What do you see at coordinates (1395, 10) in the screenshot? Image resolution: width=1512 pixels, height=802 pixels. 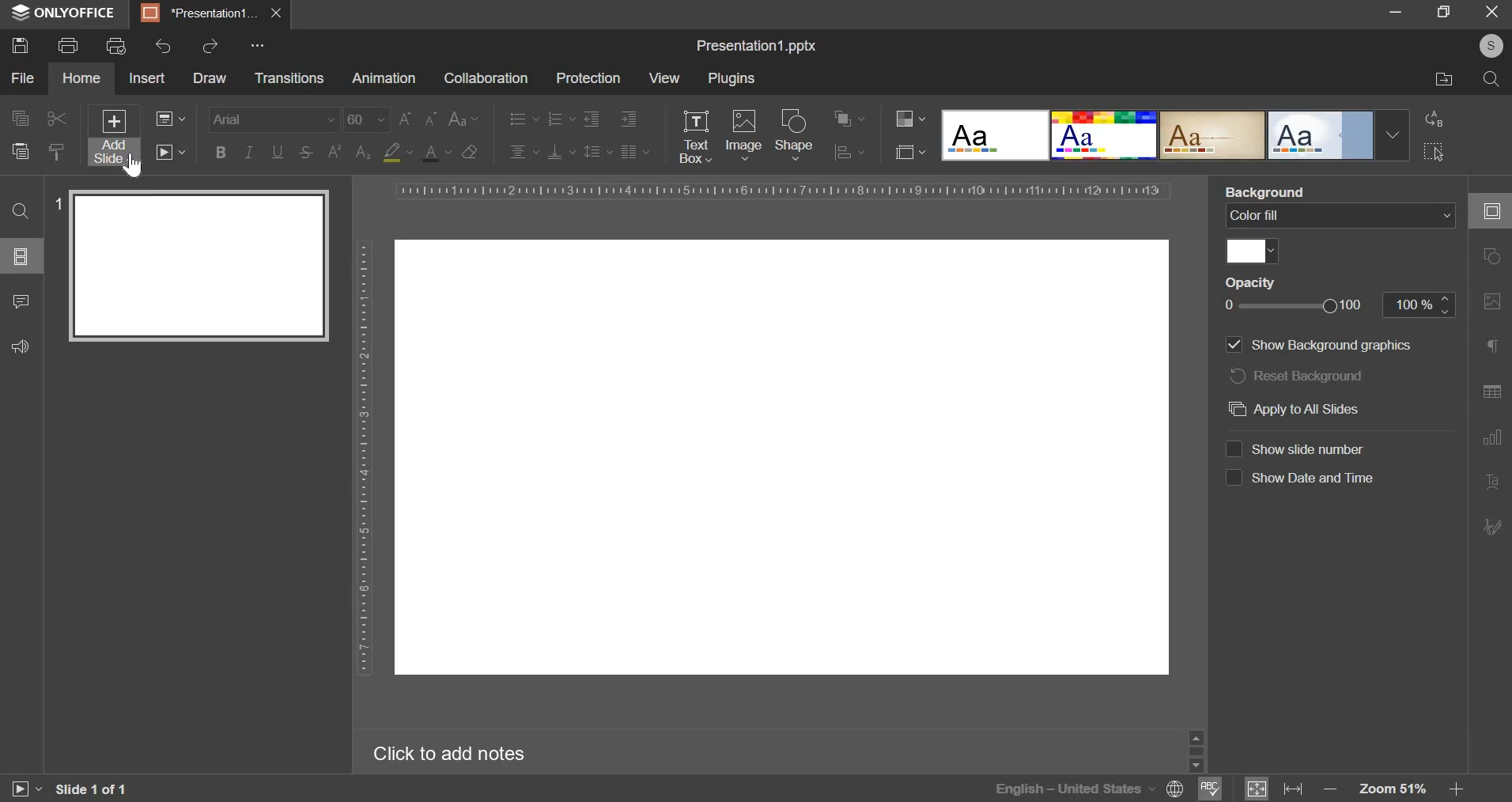 I see `minimize` at bounding box center [1395, 10].